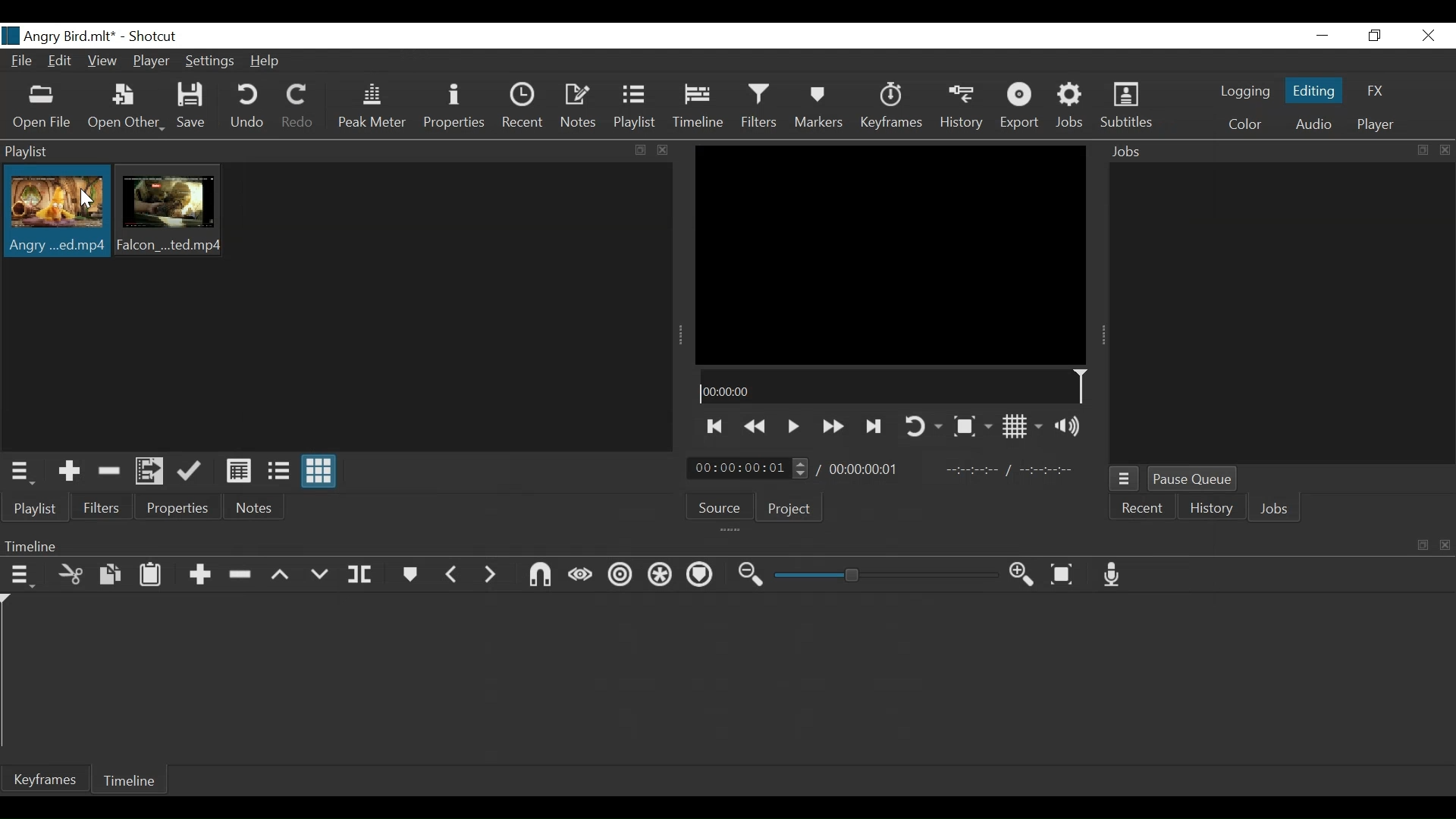  I want to click on In point, so click(1012, 469).